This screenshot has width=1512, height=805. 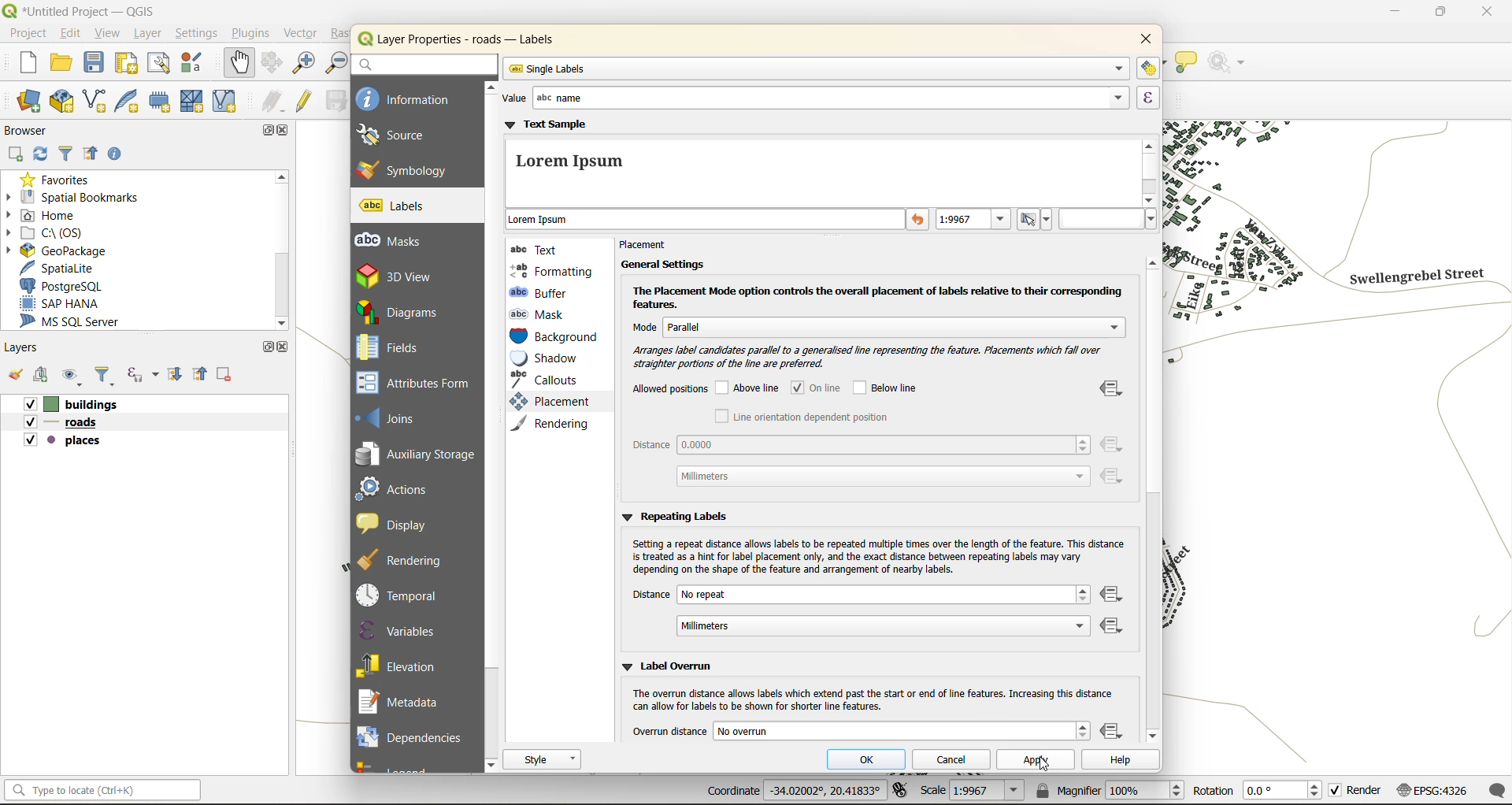 I want to click on preview text at specific map scale, so click(x=975, y=221).